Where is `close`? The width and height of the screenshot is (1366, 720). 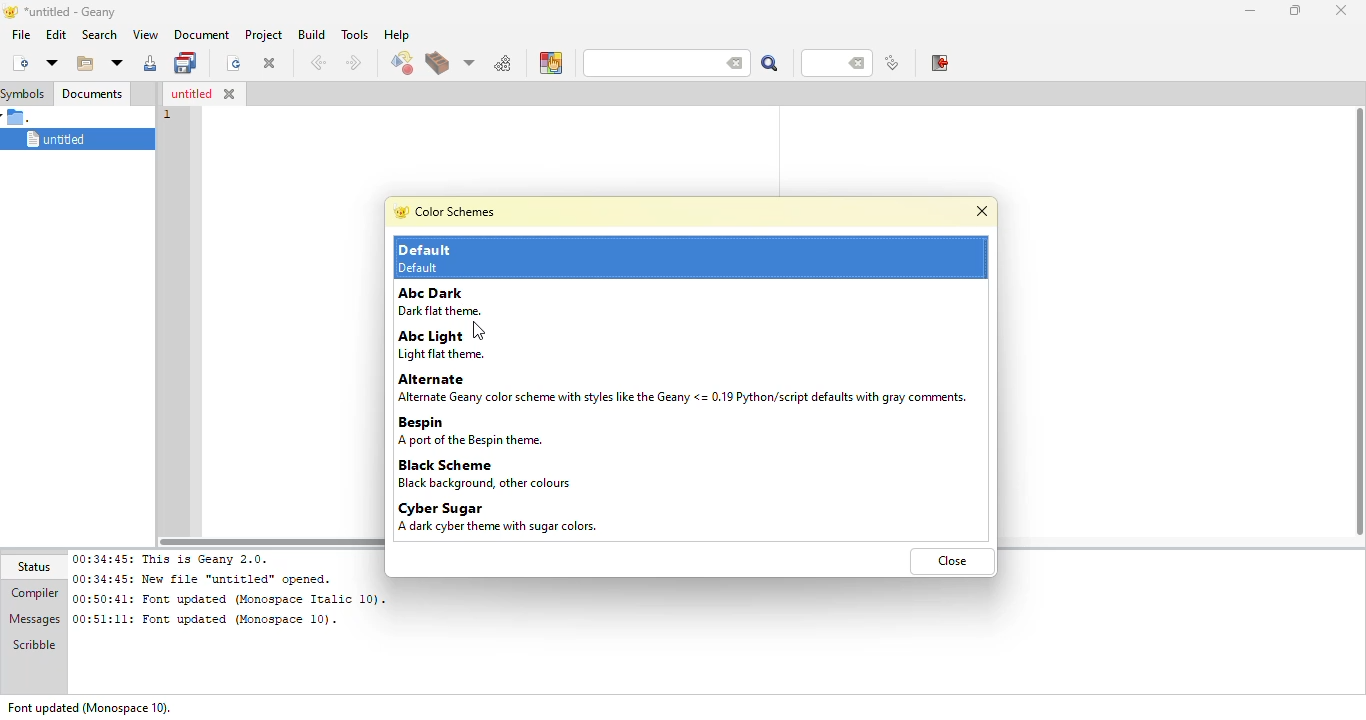
close is located at coordinates (230, 94).